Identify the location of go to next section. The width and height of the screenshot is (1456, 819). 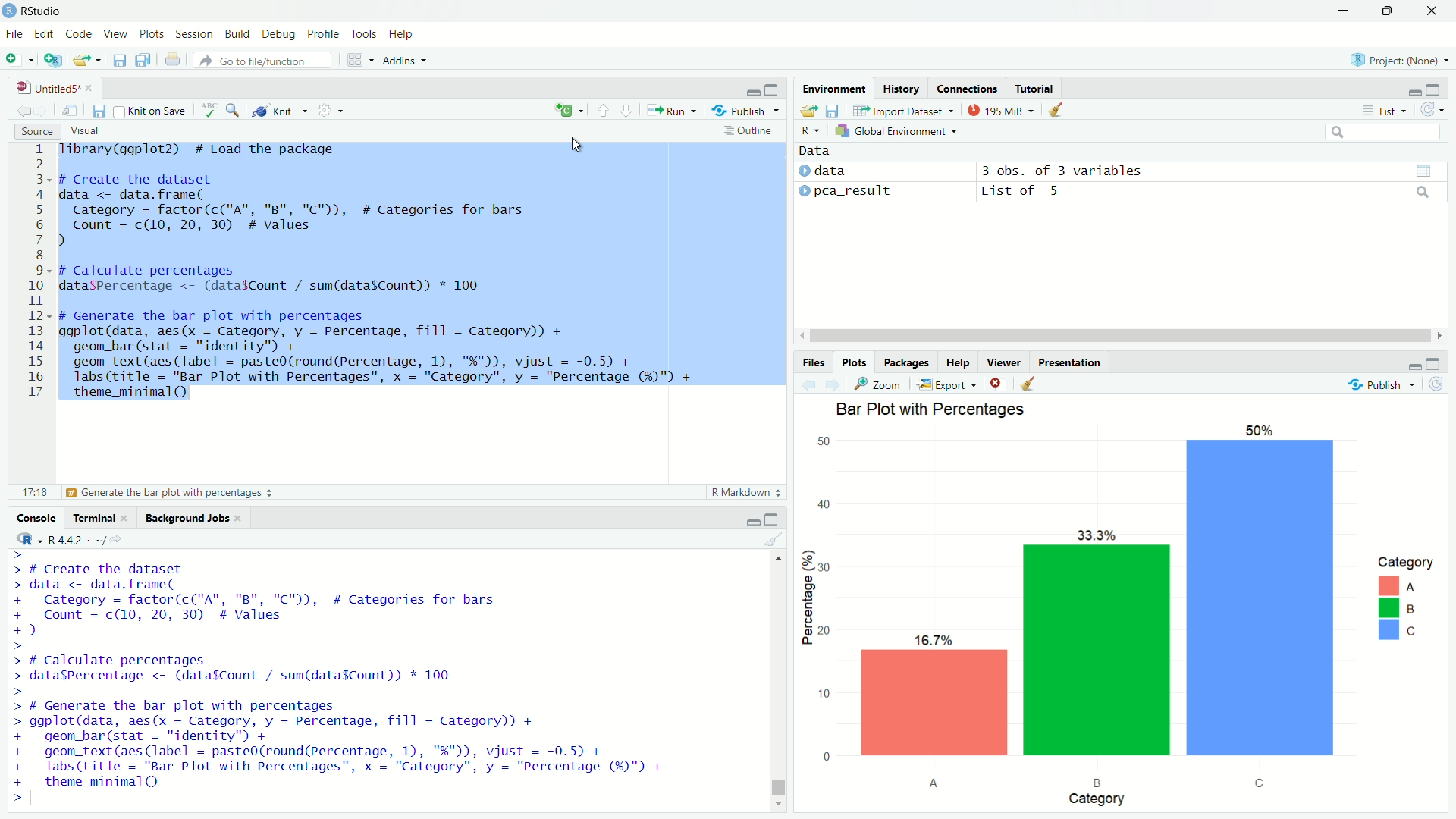
(626, 111).